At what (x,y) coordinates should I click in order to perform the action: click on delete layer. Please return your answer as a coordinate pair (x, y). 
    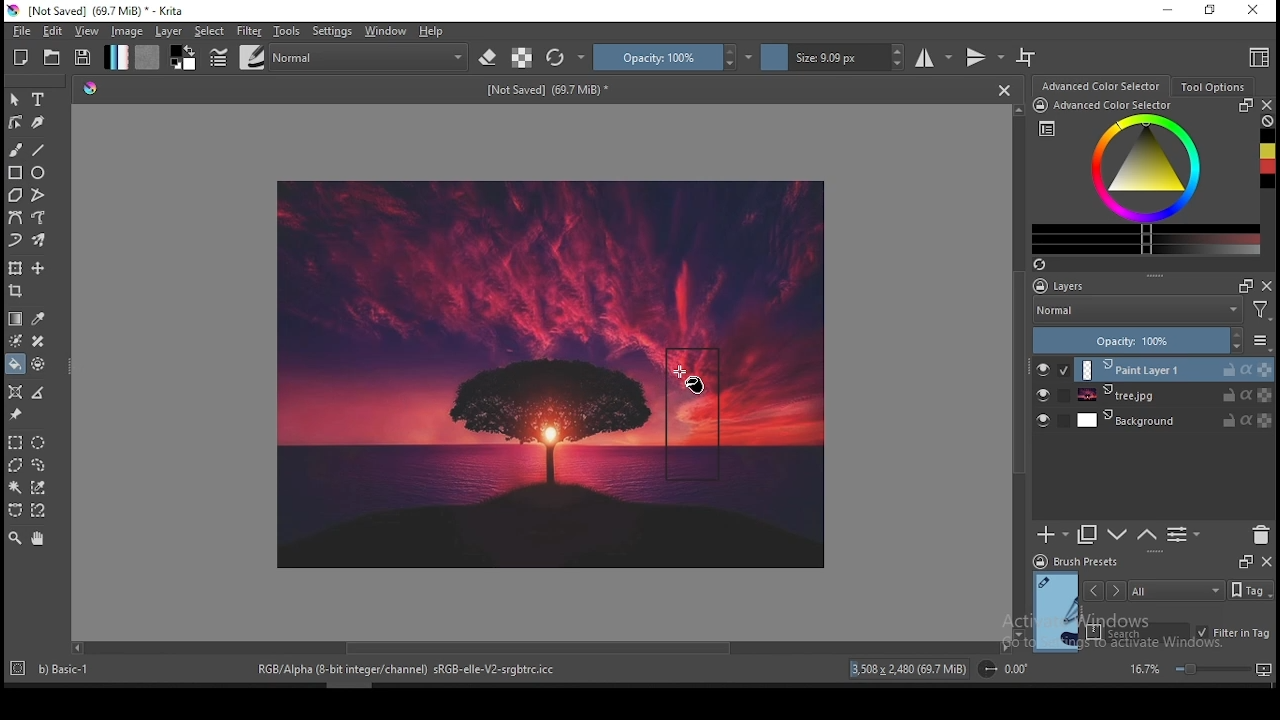
    Looking at the image, I should click on (1262, 535).